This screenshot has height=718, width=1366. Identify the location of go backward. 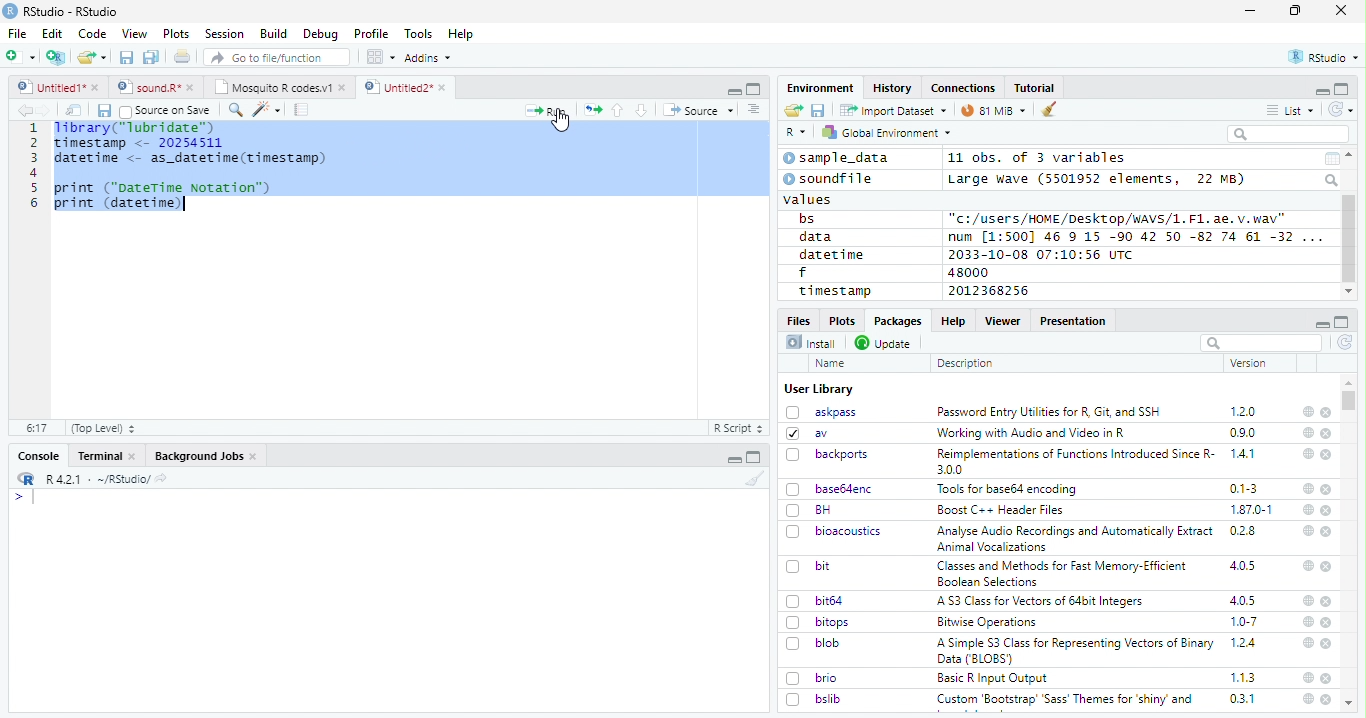
(25, 109).